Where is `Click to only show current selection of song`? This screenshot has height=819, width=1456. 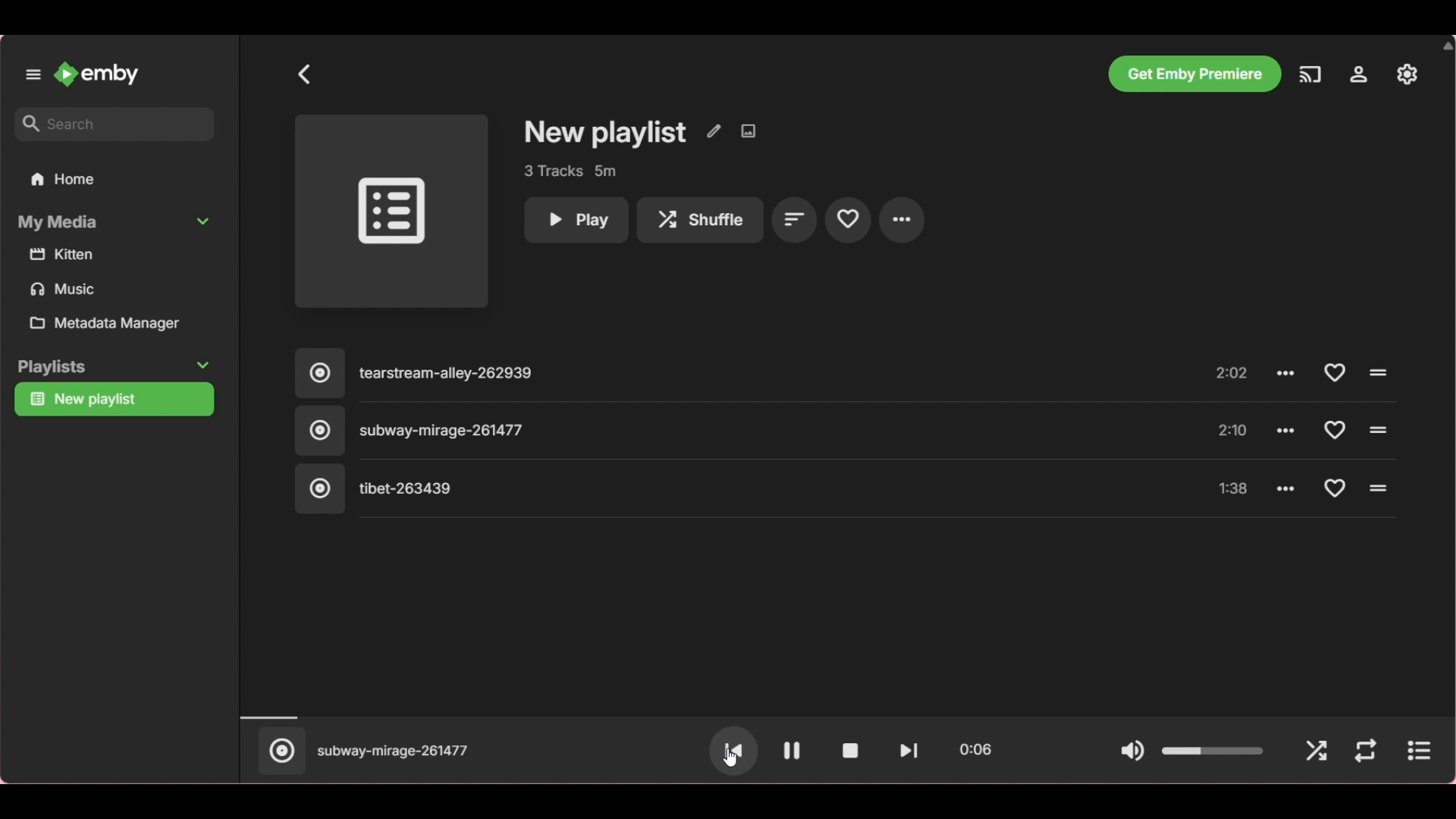
Click to only show current selection of song is located at coordinates (280, 751).